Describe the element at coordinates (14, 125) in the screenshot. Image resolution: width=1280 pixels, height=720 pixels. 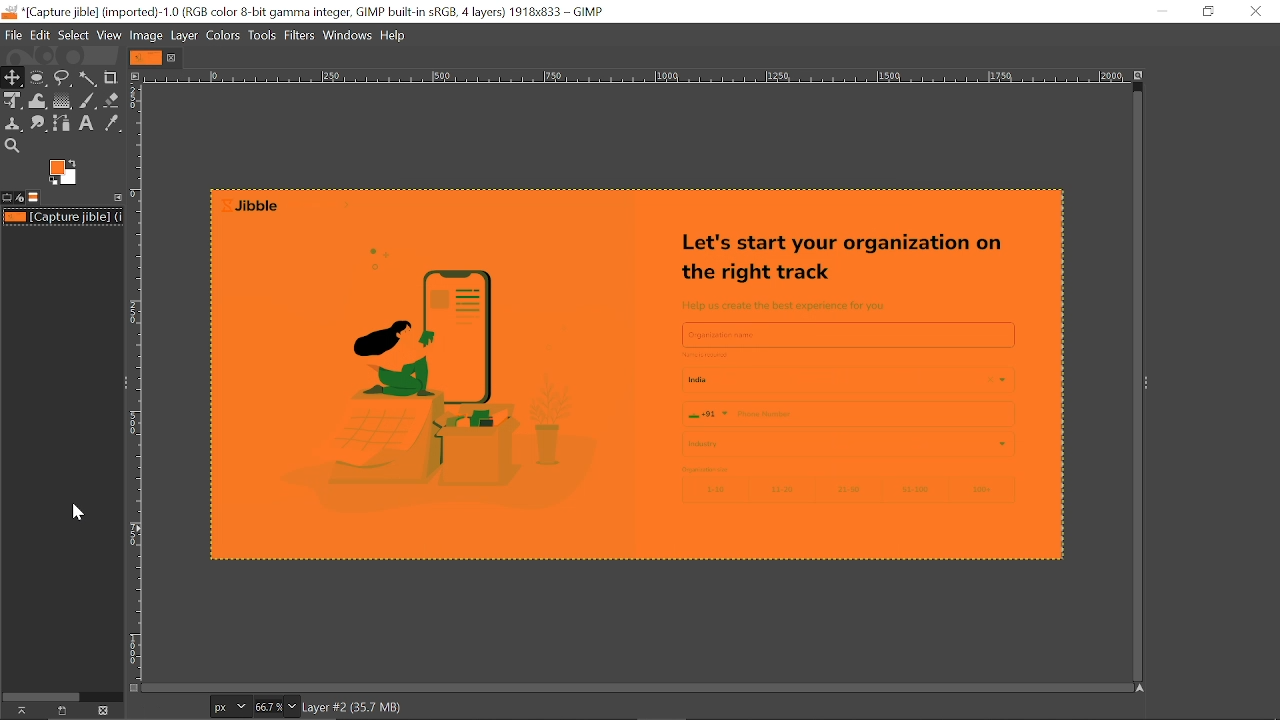
I see `Clone tool` at that location.